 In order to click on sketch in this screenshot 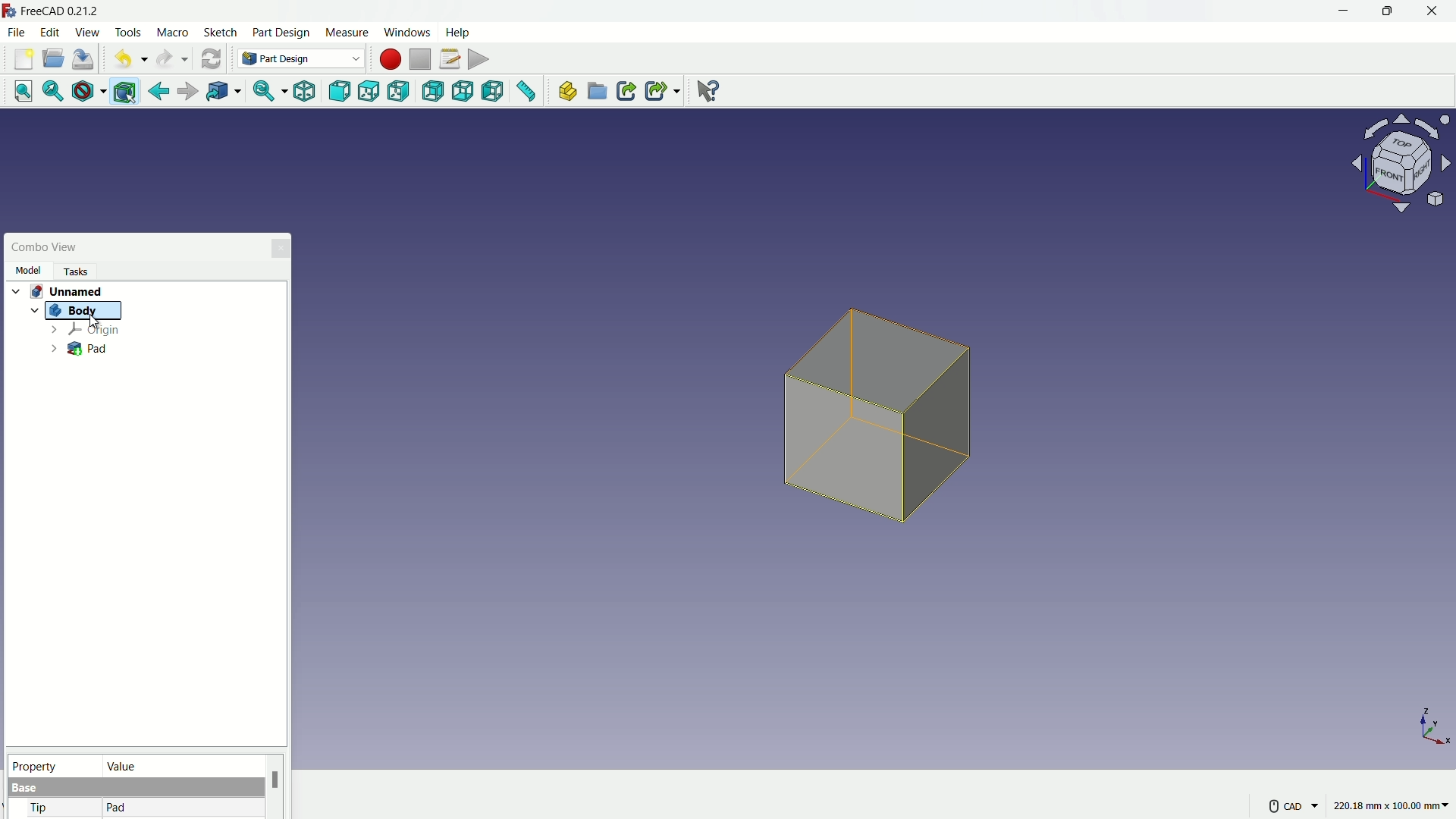, I will do `click(221, 33)`.